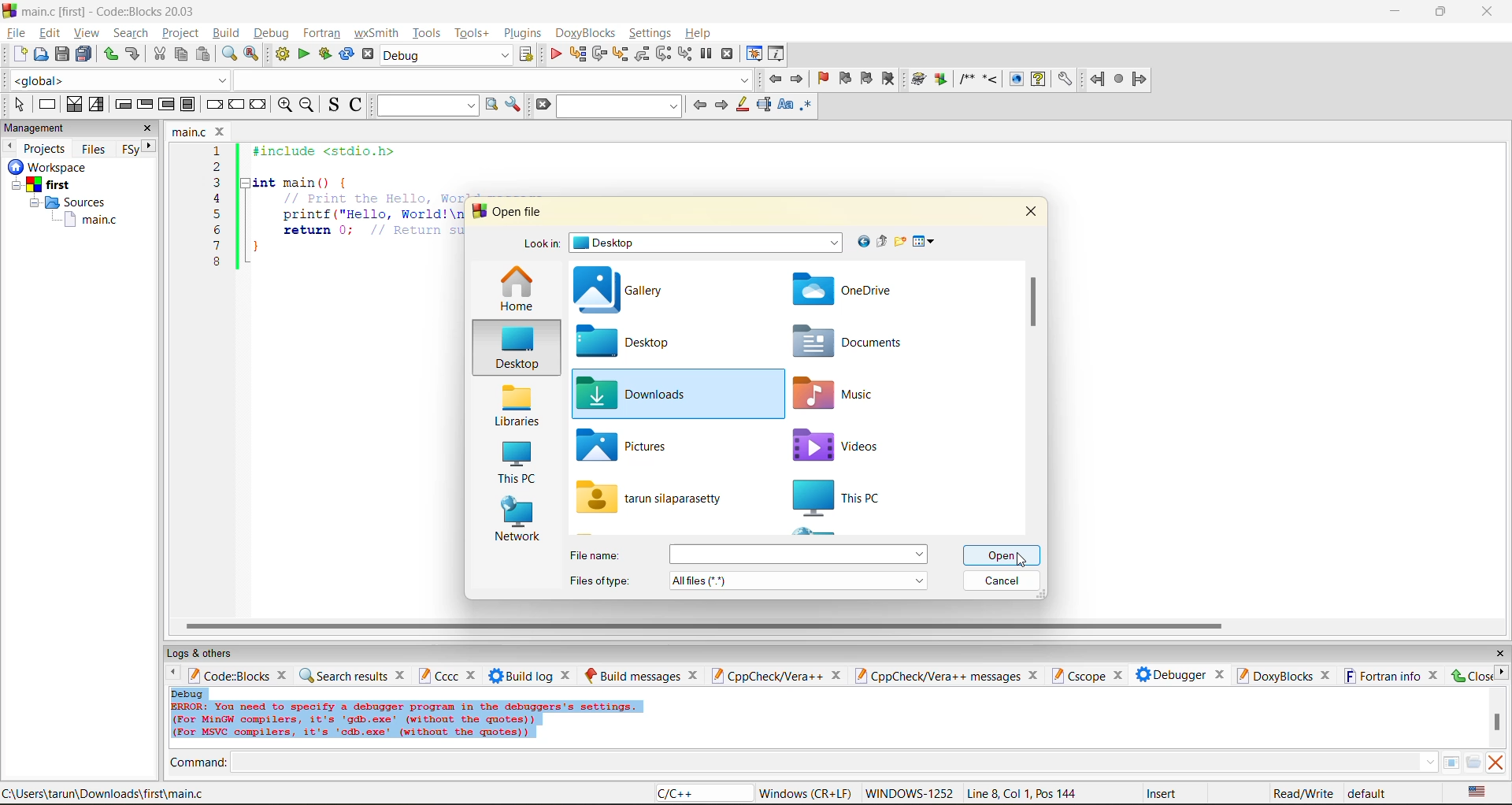 The image size is (1512, 805). What do you see at coordinates (167, 106) in the screenshot?
I see `counting loop` at bounding box center [167, 106].